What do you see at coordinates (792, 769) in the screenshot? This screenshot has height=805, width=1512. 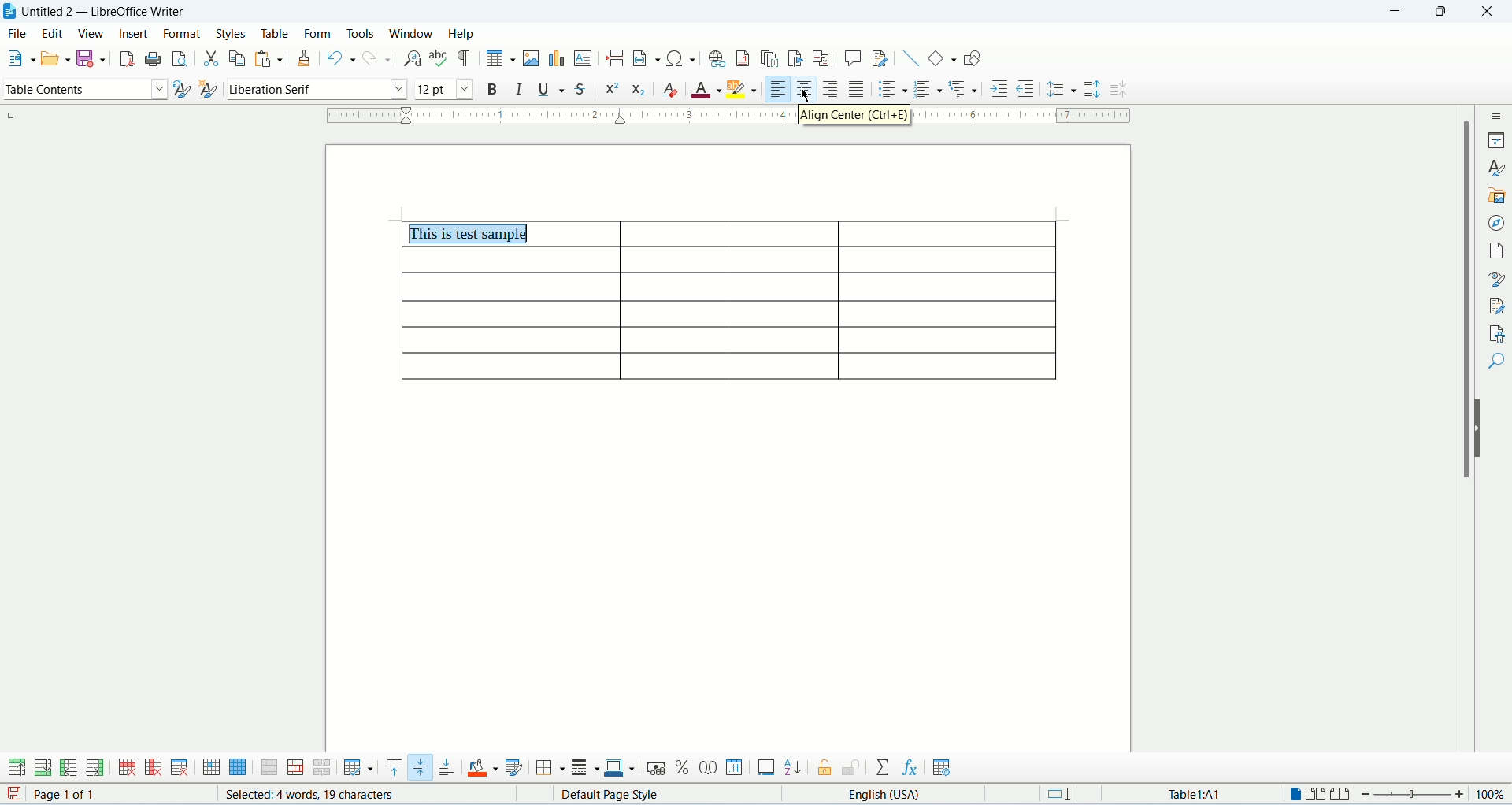 I see `sort` at bounding box center [792, 769].